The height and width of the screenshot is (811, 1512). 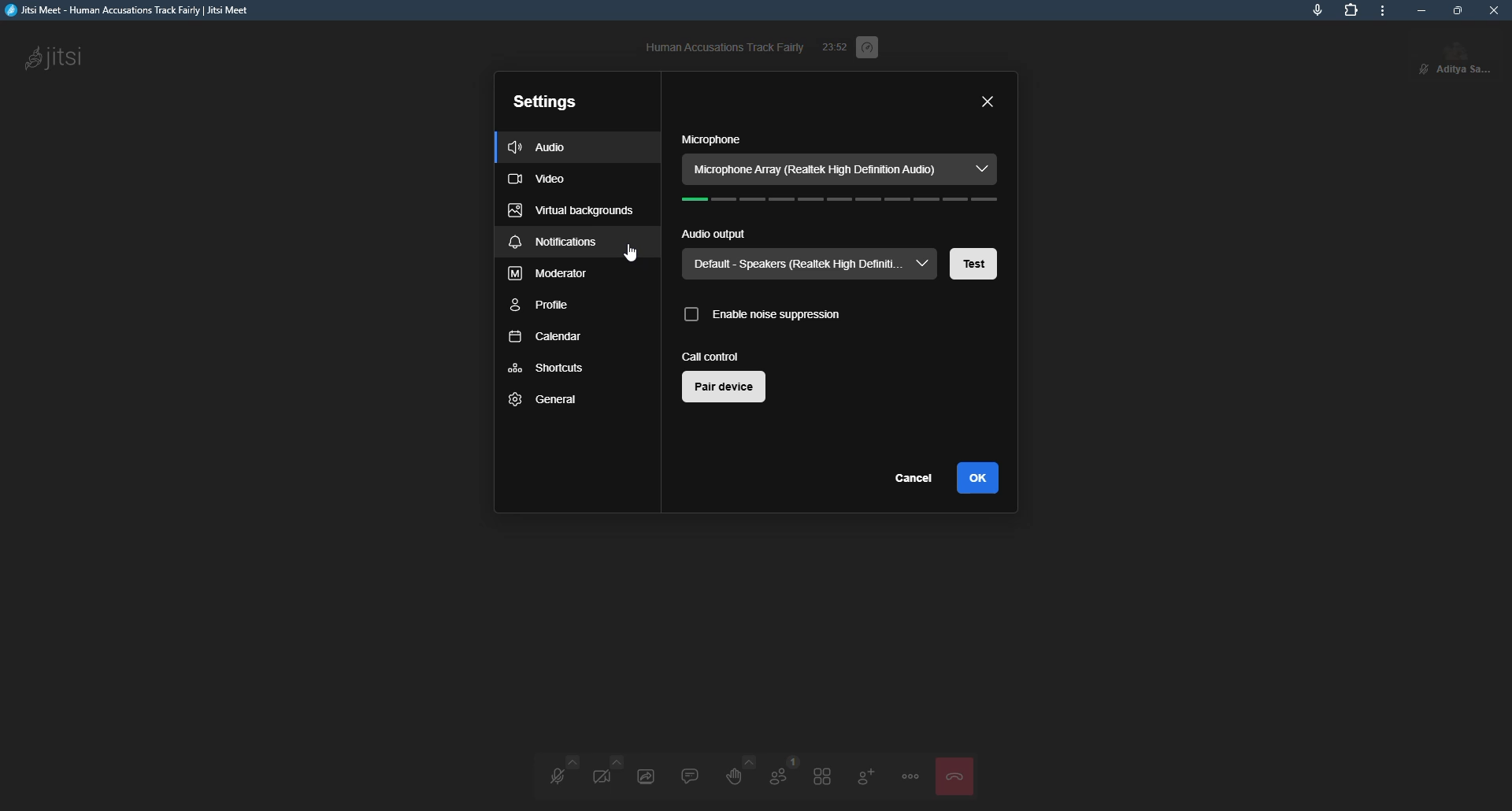 What do you see at coordinates (959, 772) in the screenshot?
I see `end call` at bounding box center [959, 772].